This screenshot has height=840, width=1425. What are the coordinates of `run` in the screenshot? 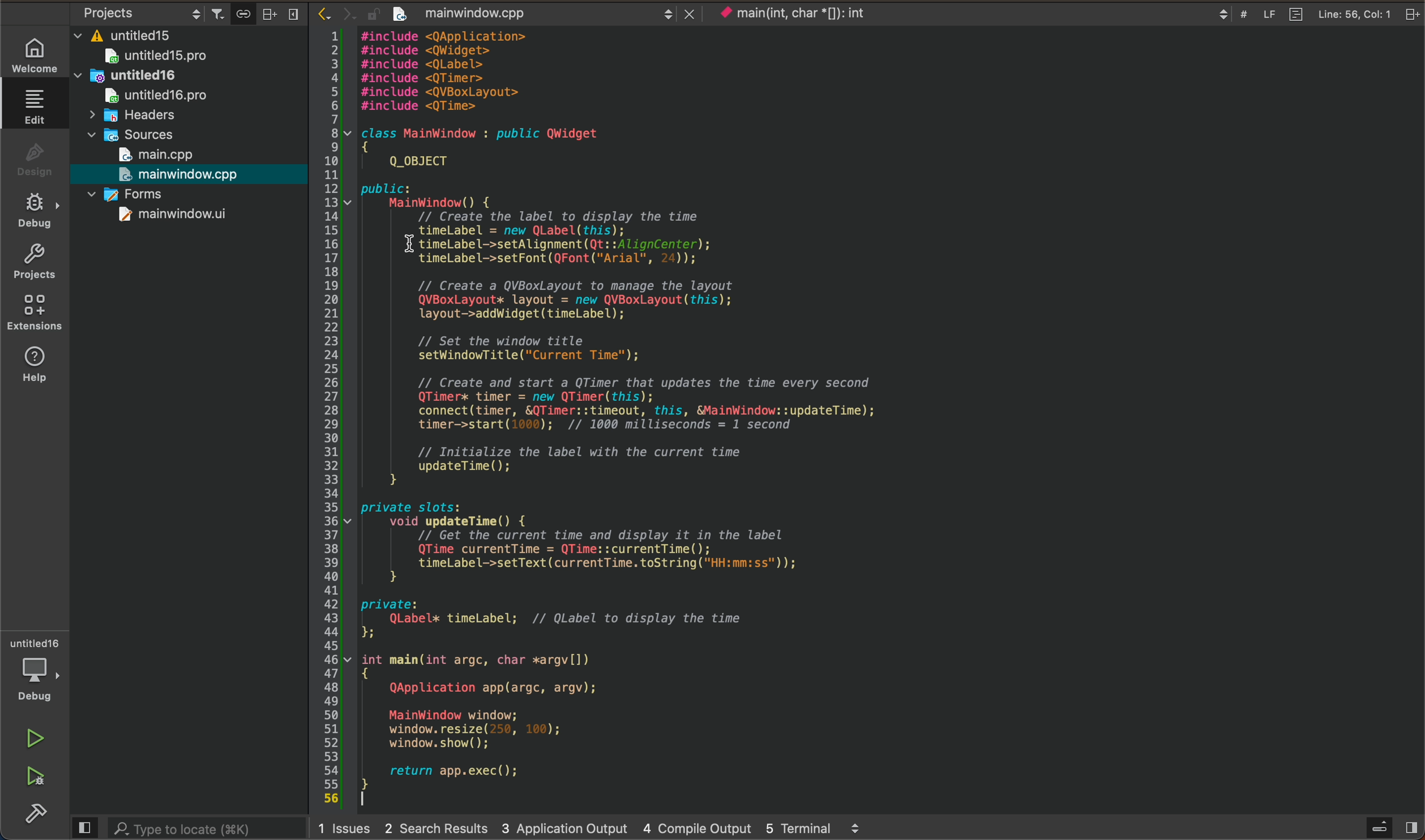 It's located at (38, 738).